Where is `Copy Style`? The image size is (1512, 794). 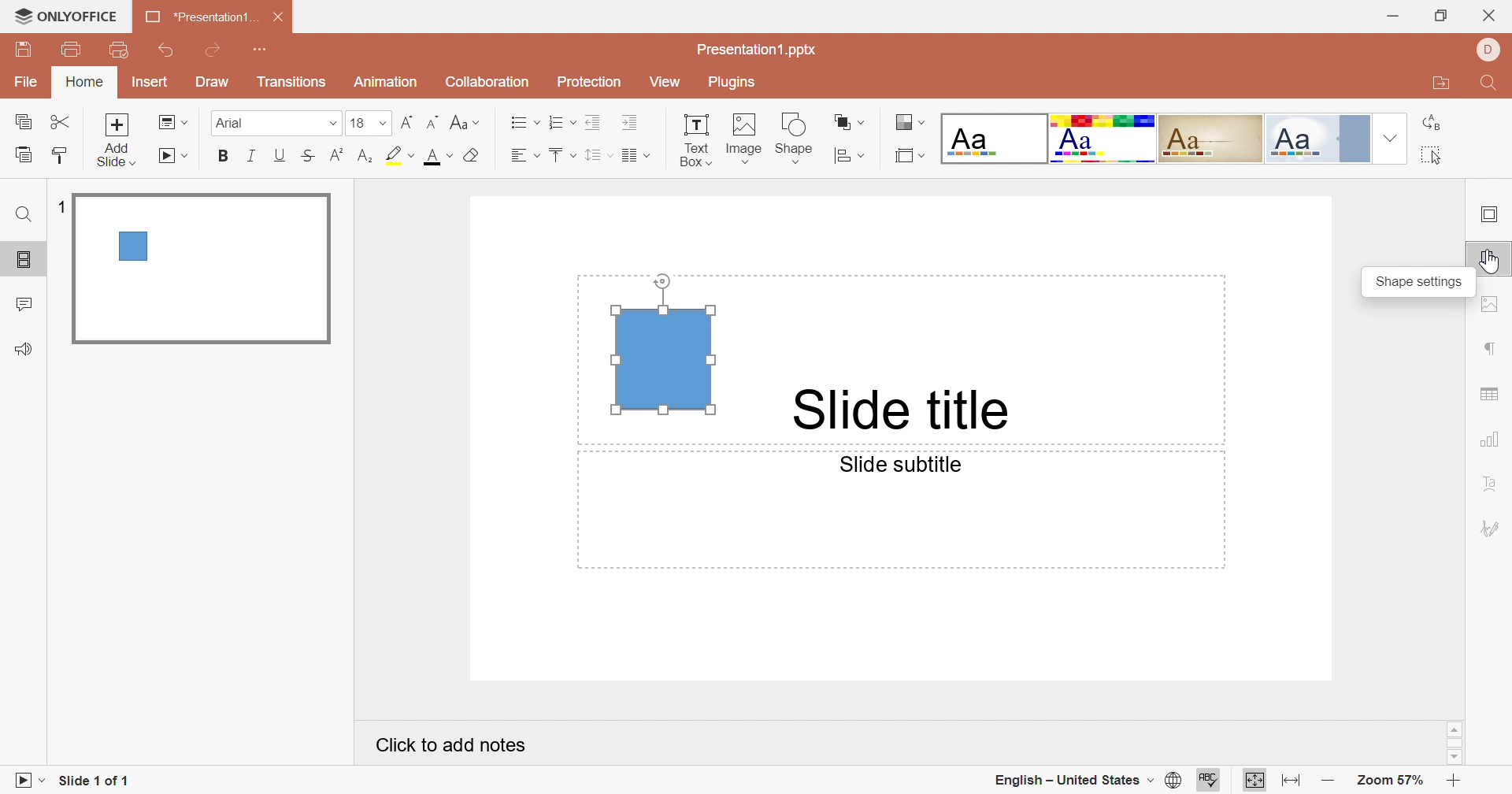
Copy Style is located at coordinates (24, 155).